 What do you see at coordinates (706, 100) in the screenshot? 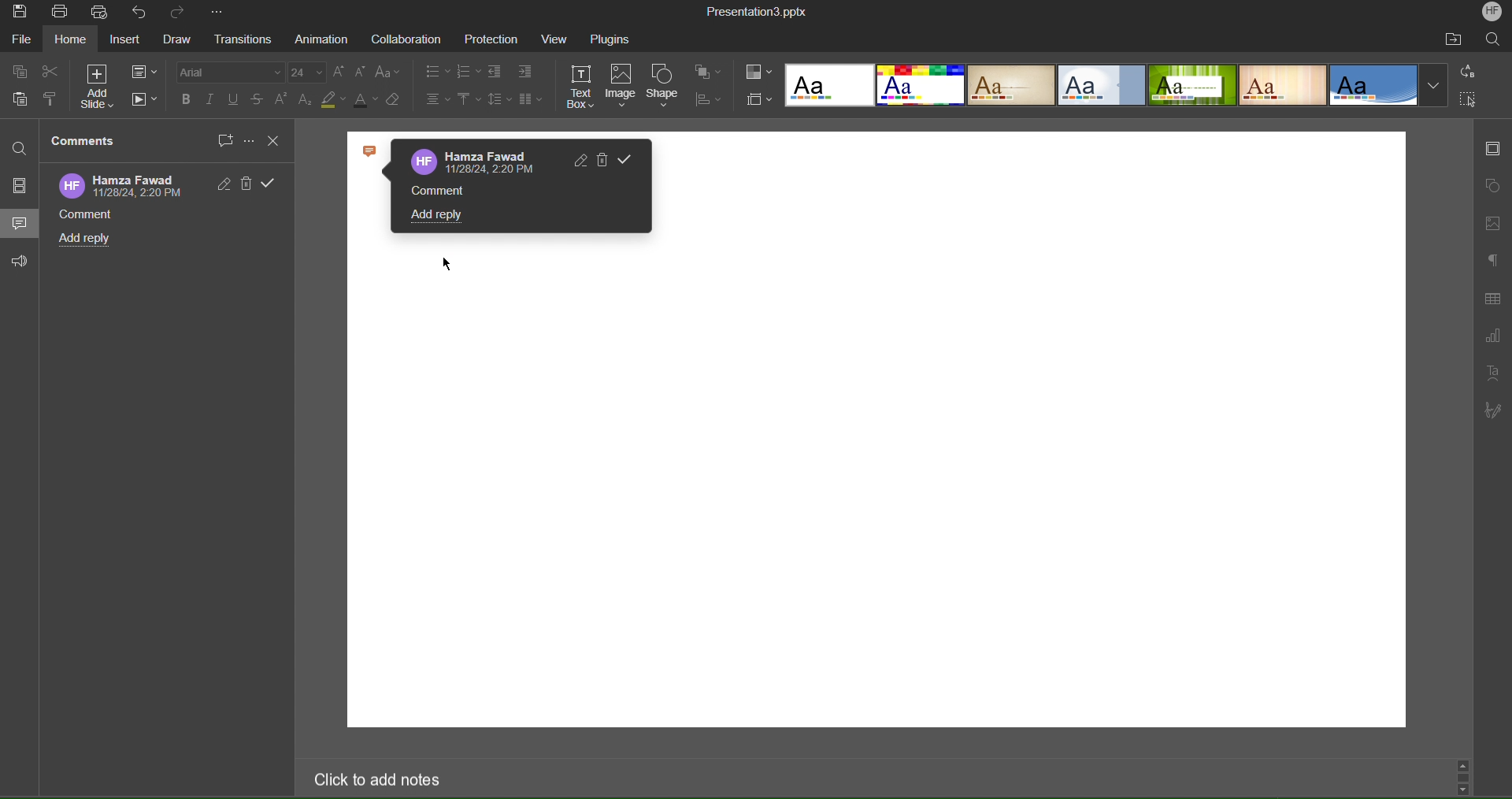
I see `Distribute` at bounding box center [706, 100].